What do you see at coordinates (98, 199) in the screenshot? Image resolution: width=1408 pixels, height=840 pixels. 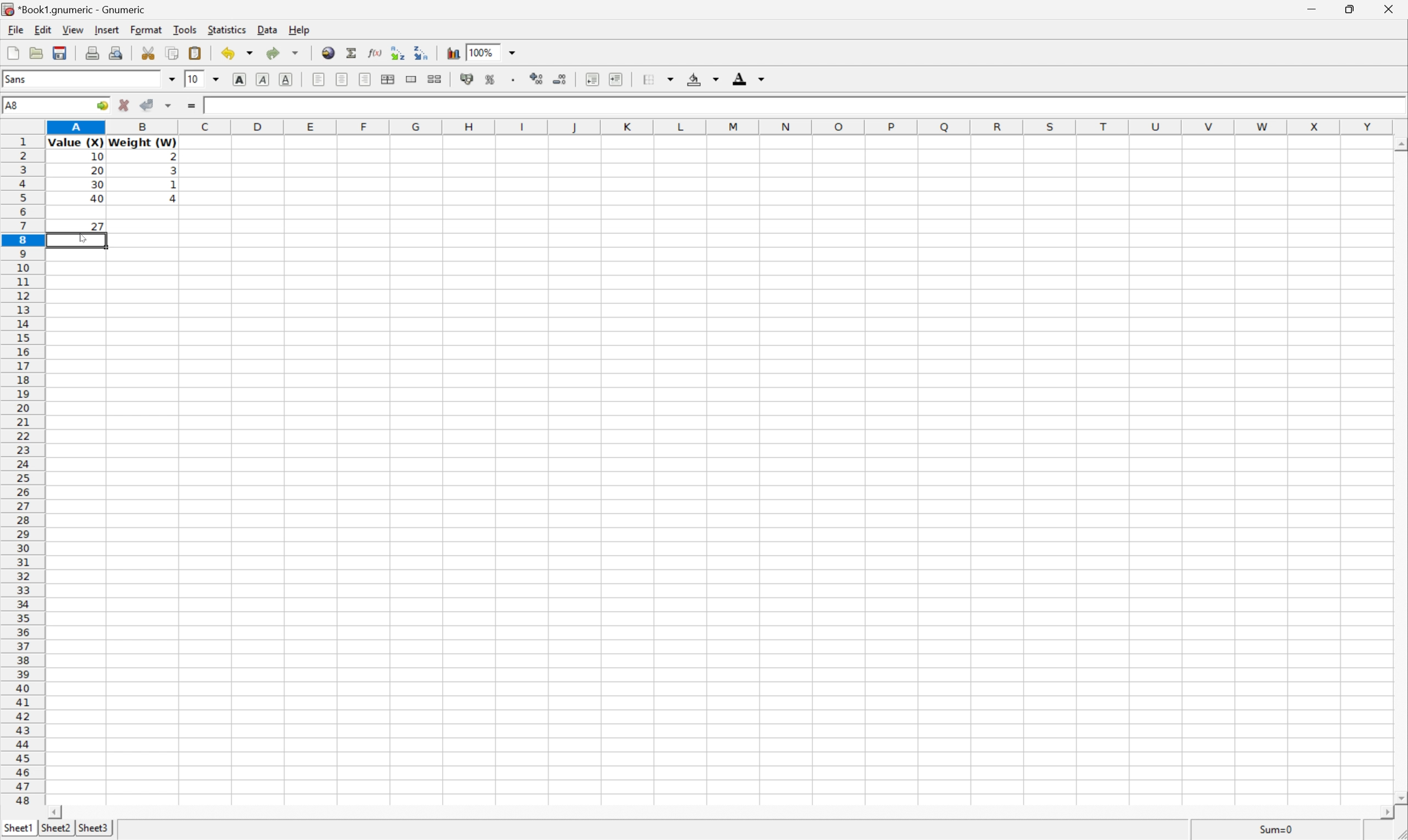 I see `40` at bounding box center [98, 199].